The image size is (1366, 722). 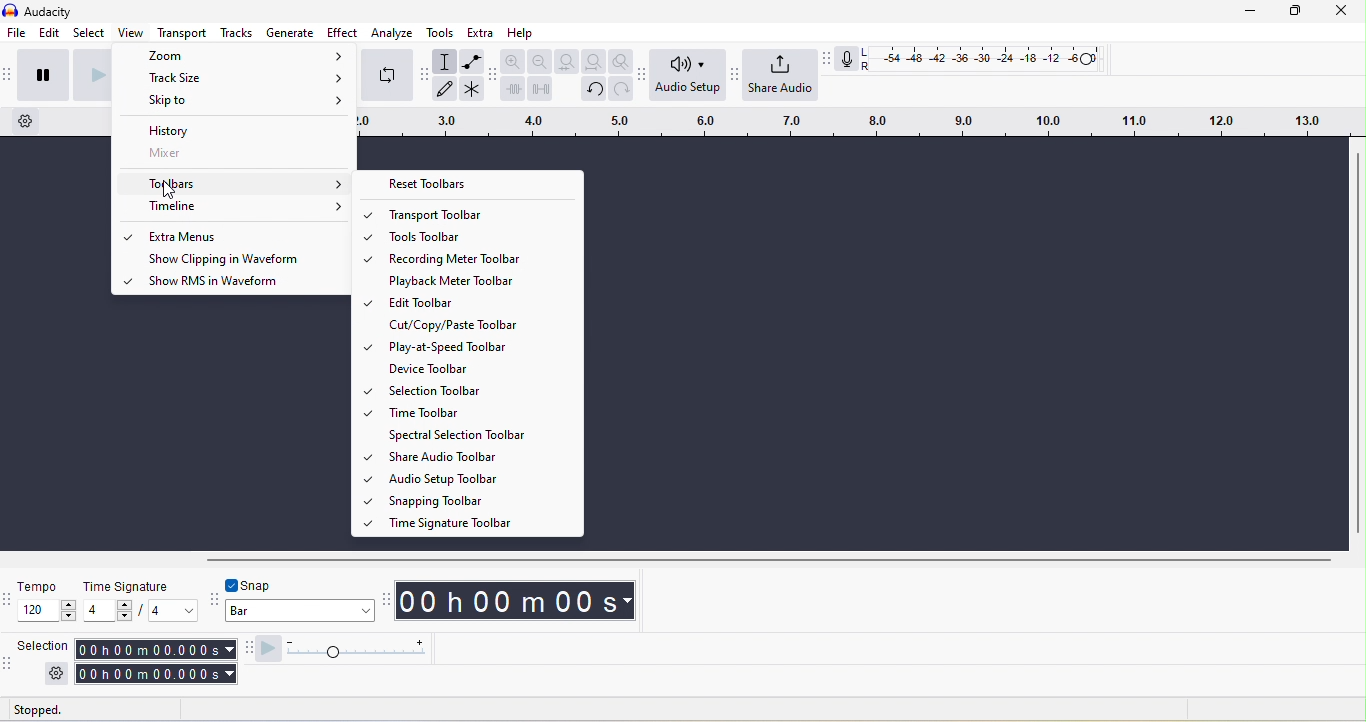 What do you see at coordinates (26, 121) in the screenshot?
I see `timeline settings` at bounding box center [26, 121].